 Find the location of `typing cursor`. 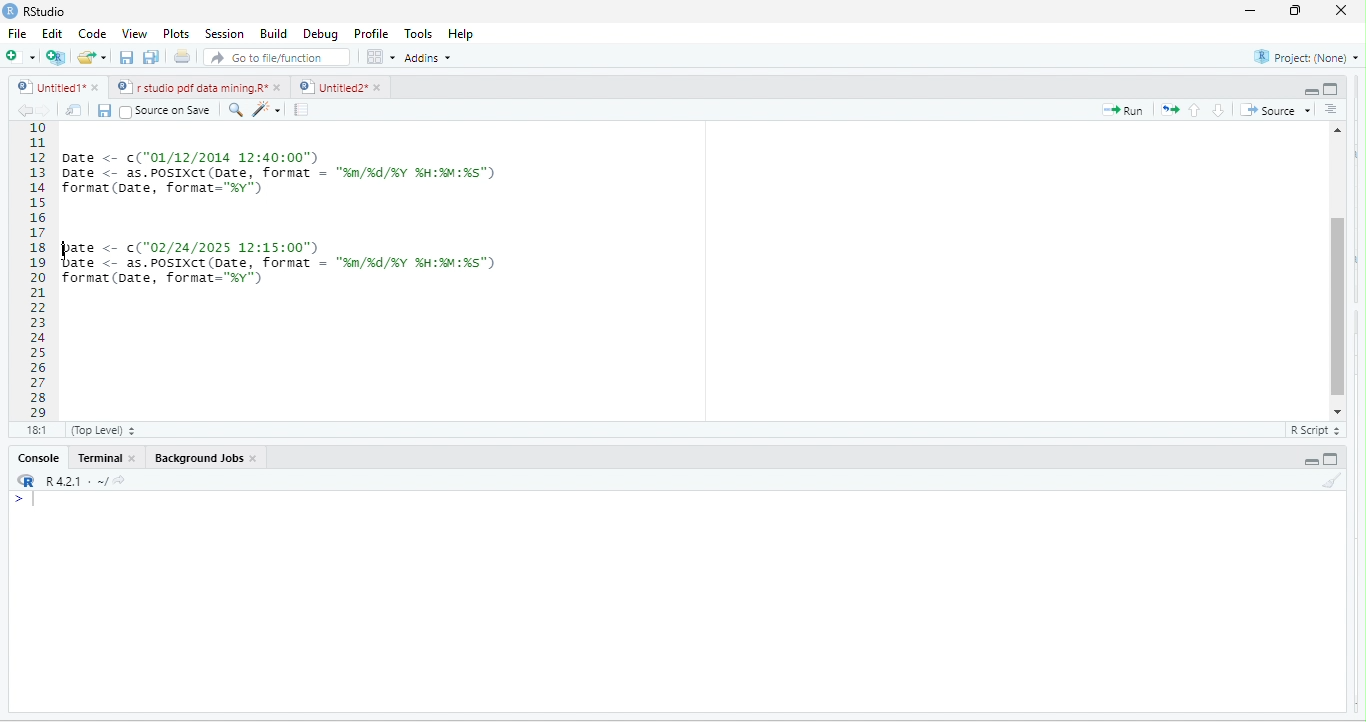

typing cursor is located at coordinates (65, 251).